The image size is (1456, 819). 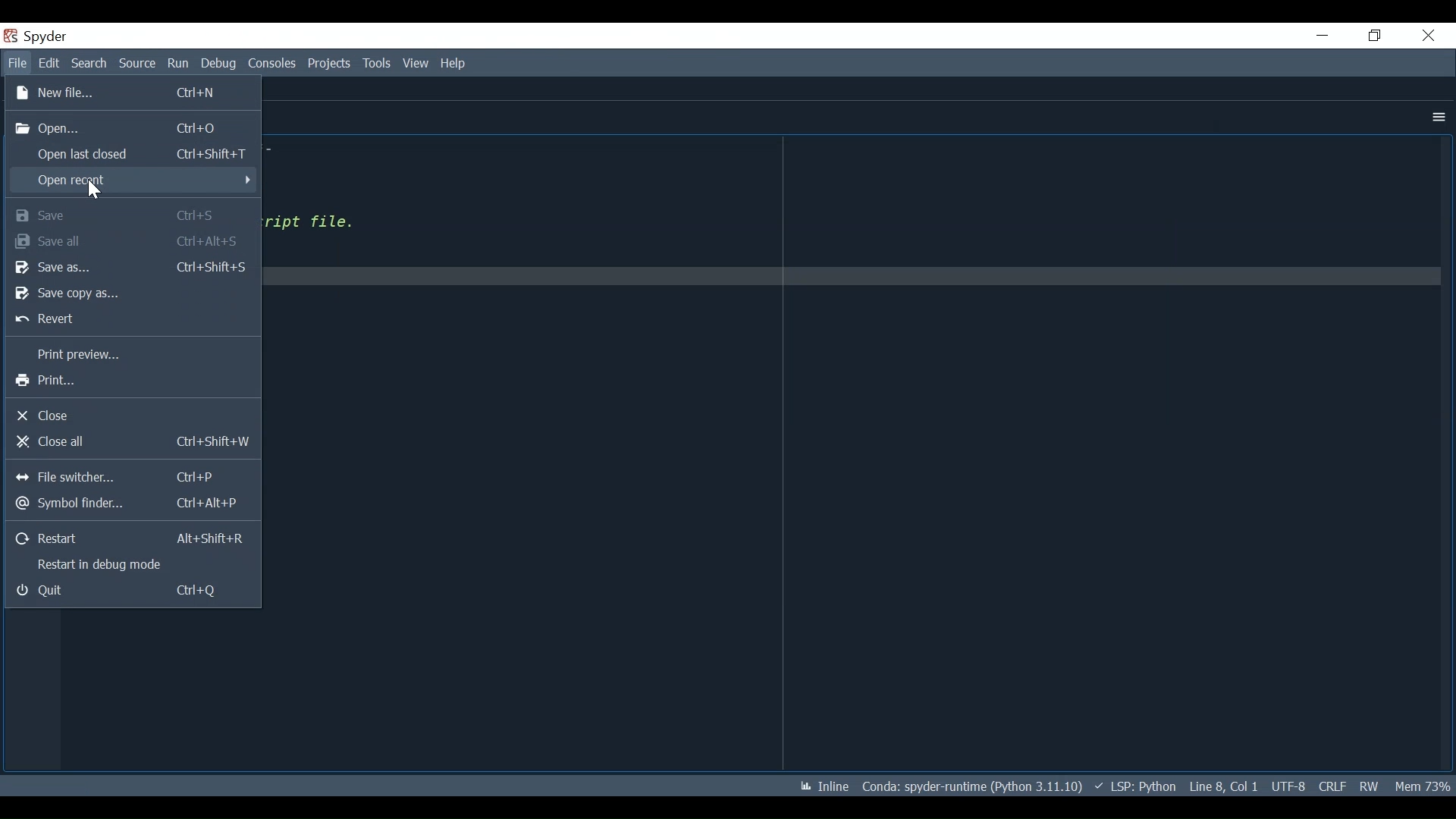 I want to click on Restore, so click(x=1377, y=35).